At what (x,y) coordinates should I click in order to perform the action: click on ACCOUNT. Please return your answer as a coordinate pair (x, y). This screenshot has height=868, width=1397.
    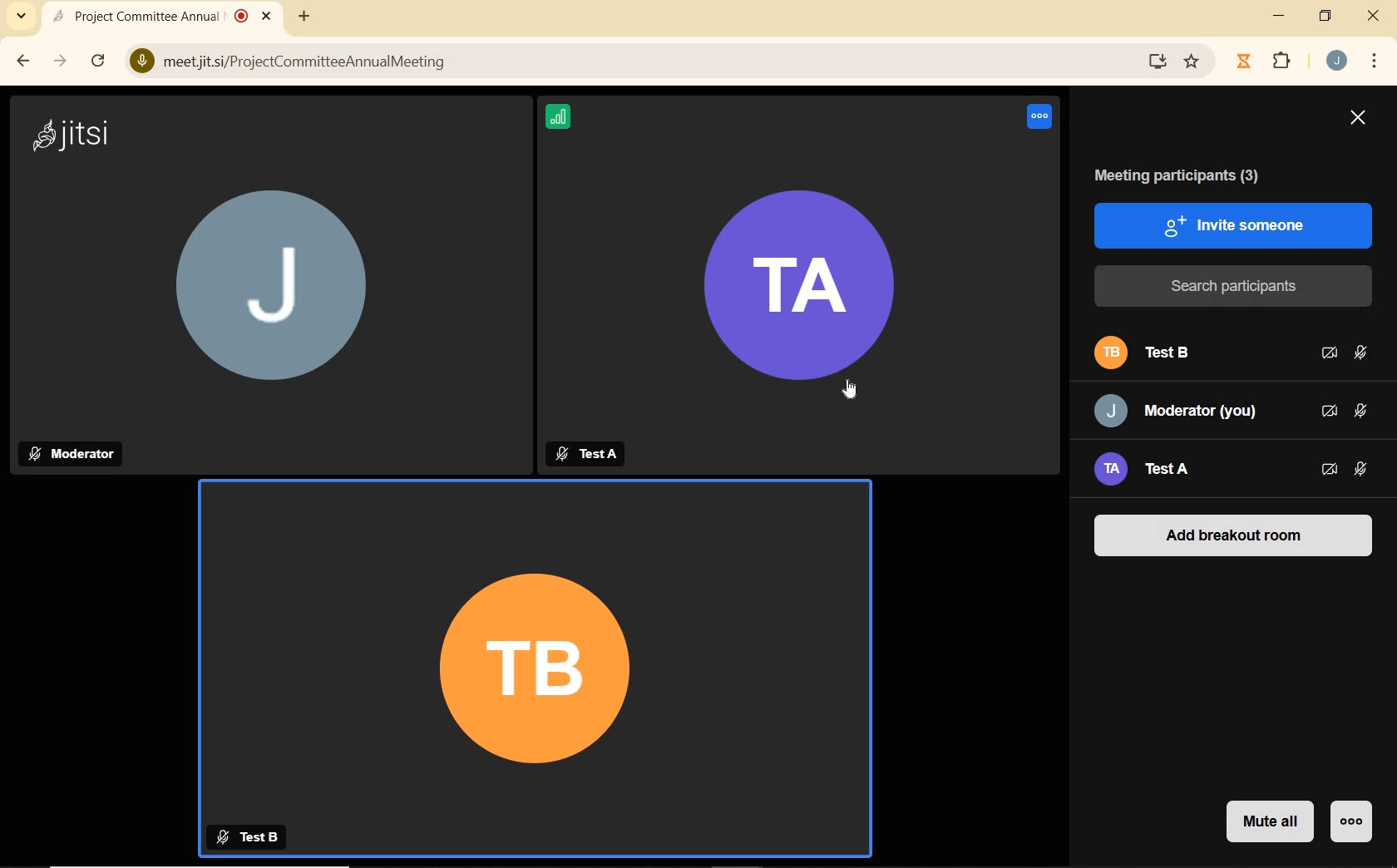
    Looking at the image, I should click on (1339, 62).